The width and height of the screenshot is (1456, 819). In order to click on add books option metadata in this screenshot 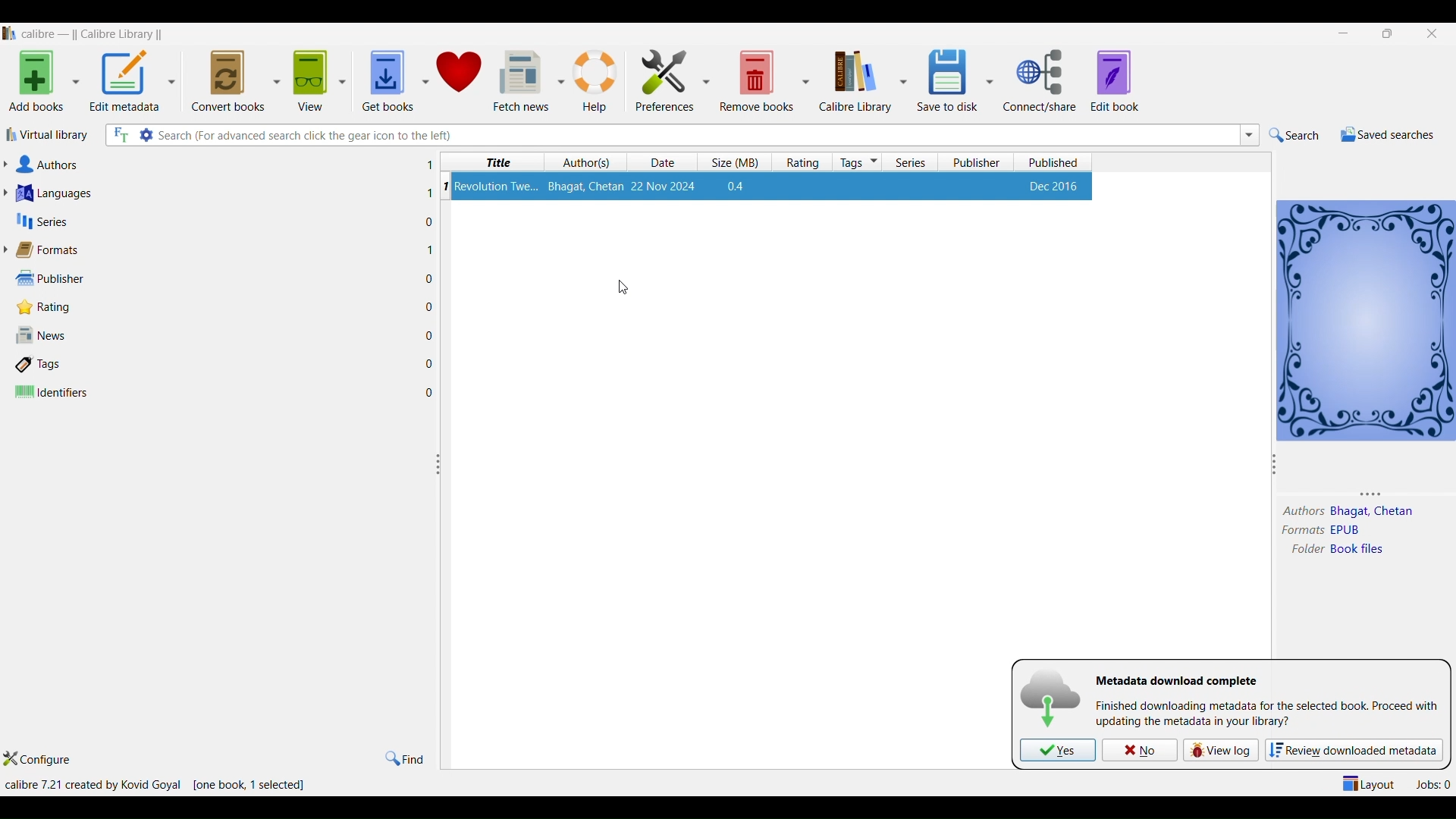, I will do `click(78, 81)`.